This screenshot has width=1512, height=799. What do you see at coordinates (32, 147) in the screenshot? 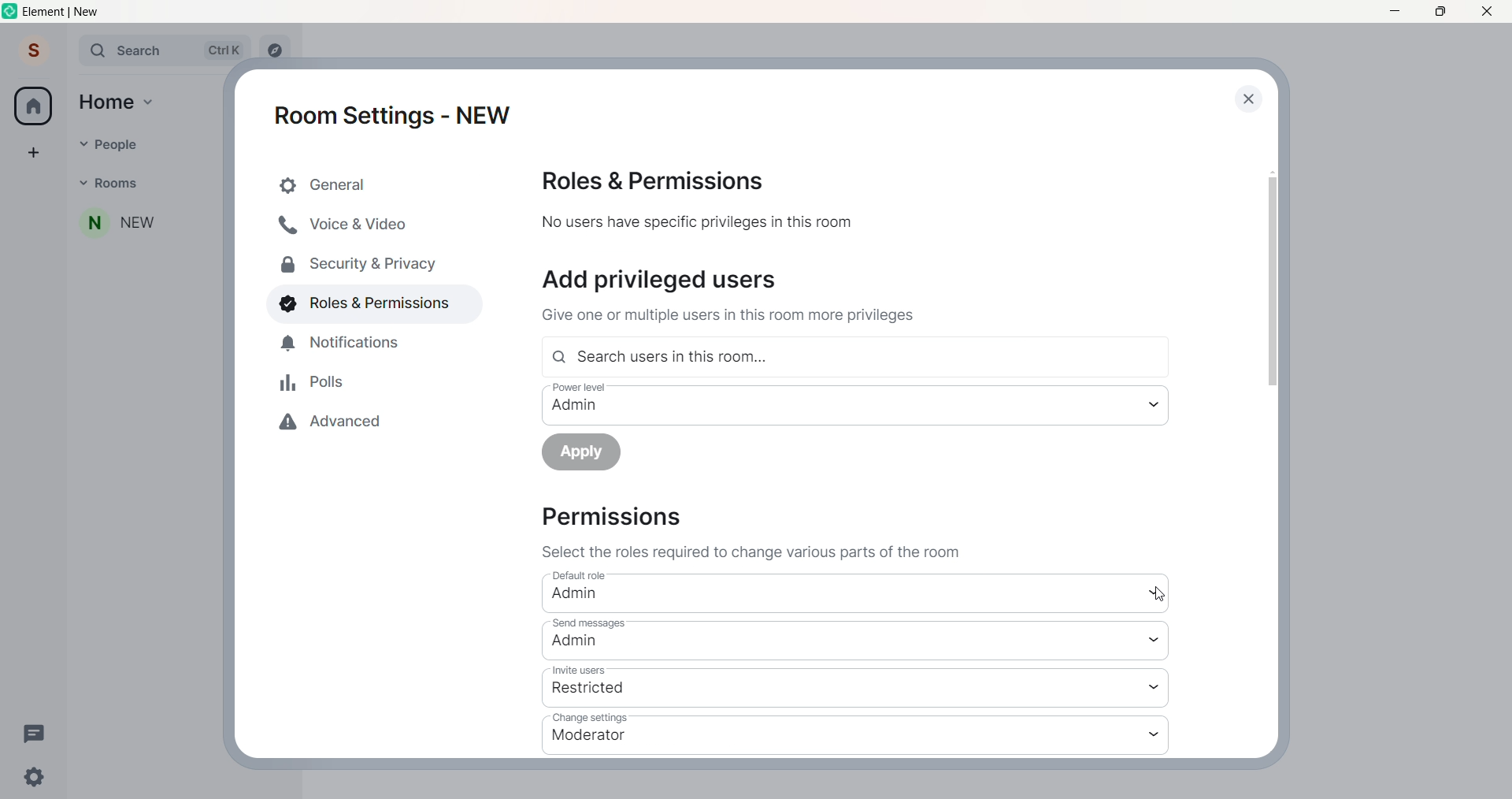
I see `create space` at bounding box center [32, 147].